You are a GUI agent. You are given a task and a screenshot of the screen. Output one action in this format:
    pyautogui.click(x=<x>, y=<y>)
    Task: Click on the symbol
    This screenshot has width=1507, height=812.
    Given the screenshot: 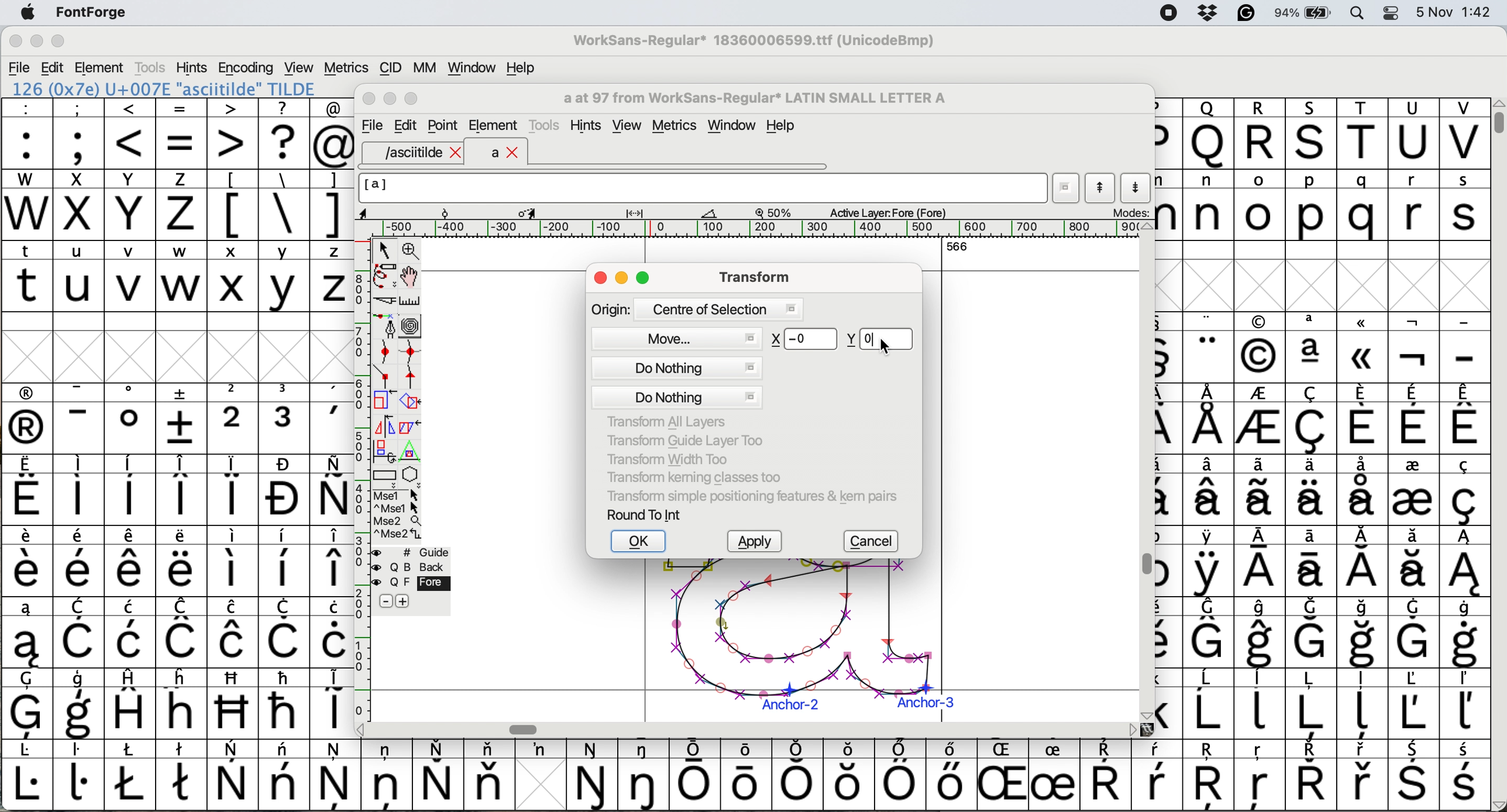 What is the action you would take?
    pyautogui.click(x=1310, y=775)
    